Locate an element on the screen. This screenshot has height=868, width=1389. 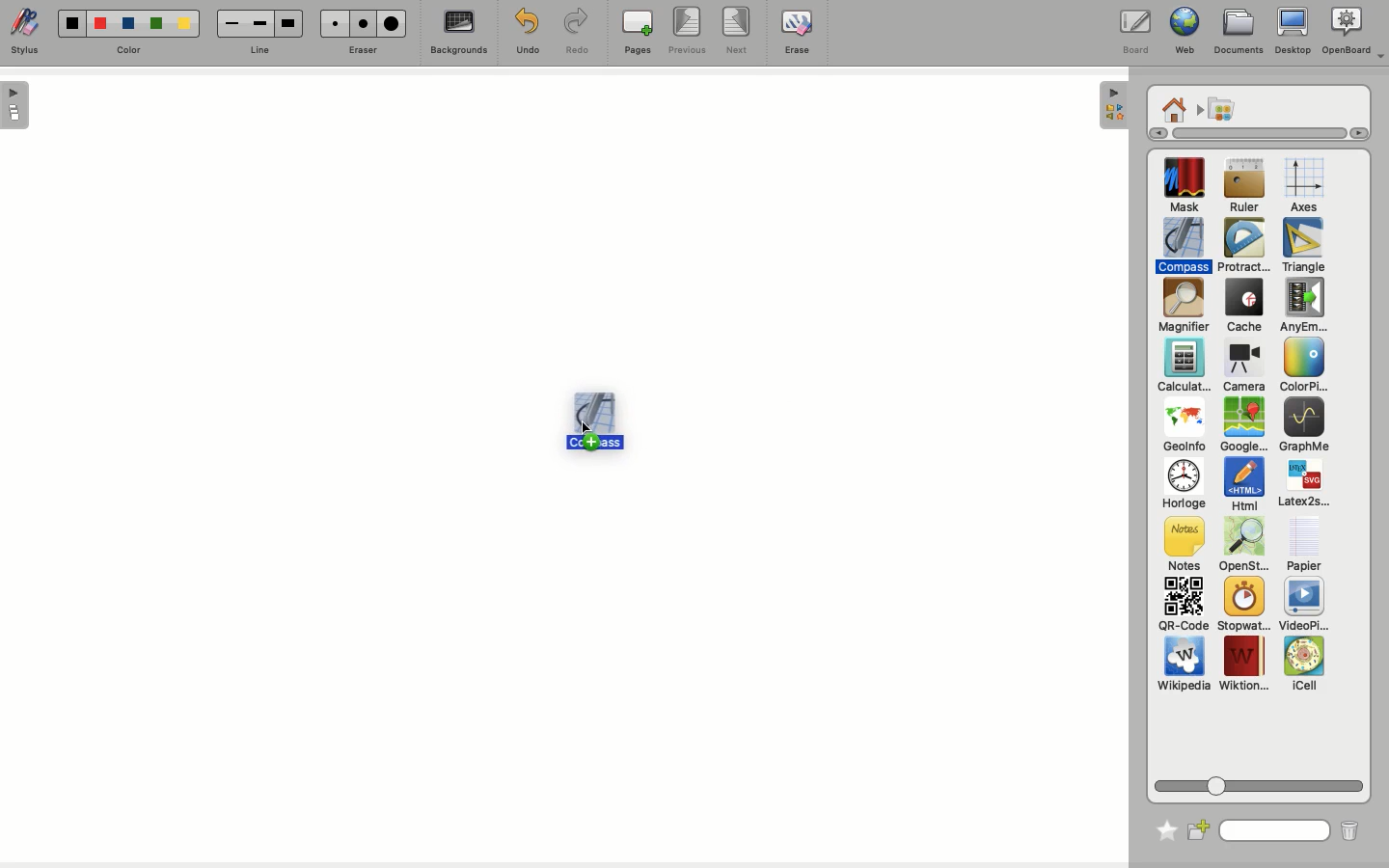
OpenSt is located at coordinates (1239, 547).